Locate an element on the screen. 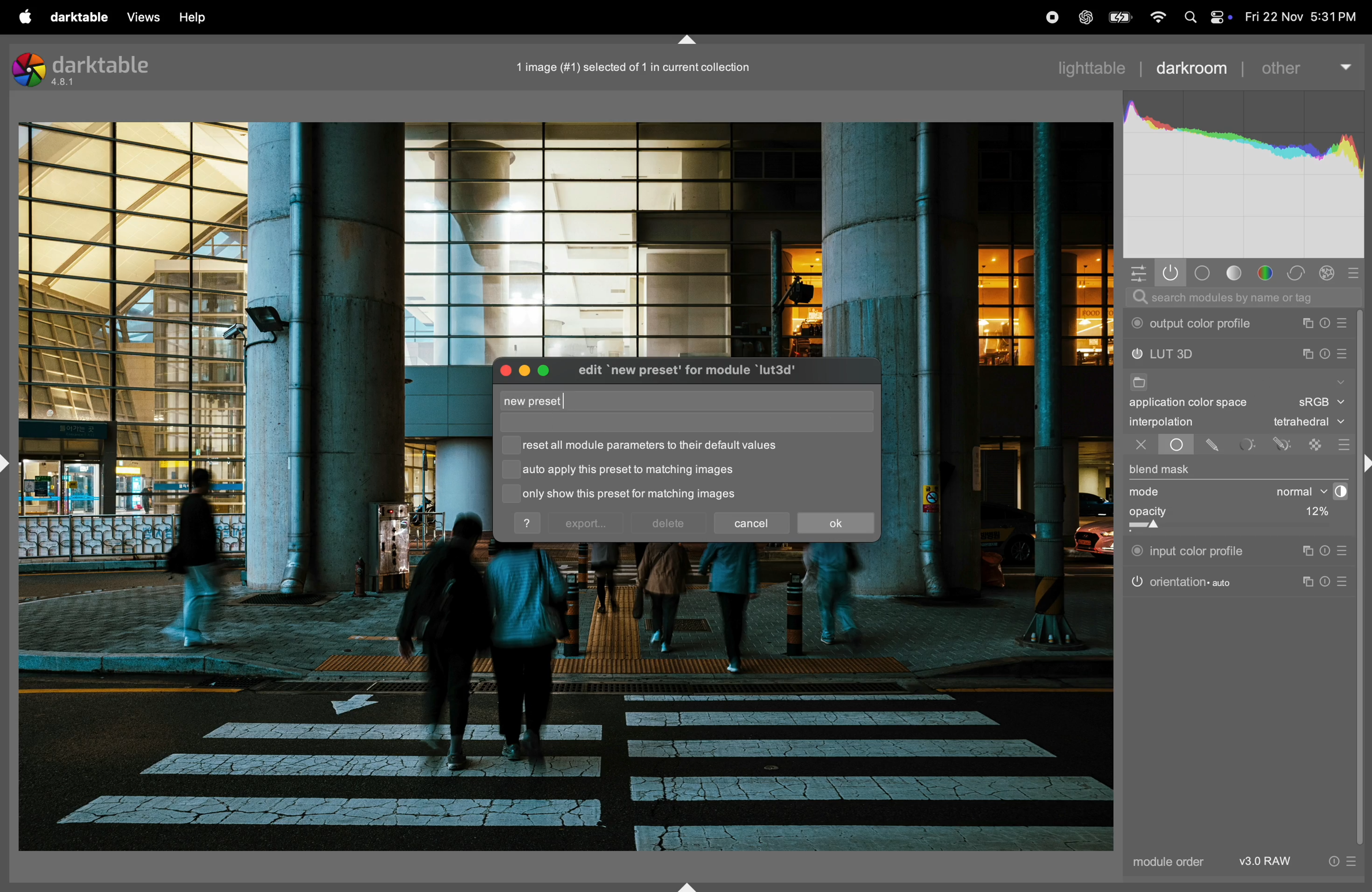 Image resolution: width=1372 pixels, height=892 pixels. Srgb is located at coordinates (1321, 403).